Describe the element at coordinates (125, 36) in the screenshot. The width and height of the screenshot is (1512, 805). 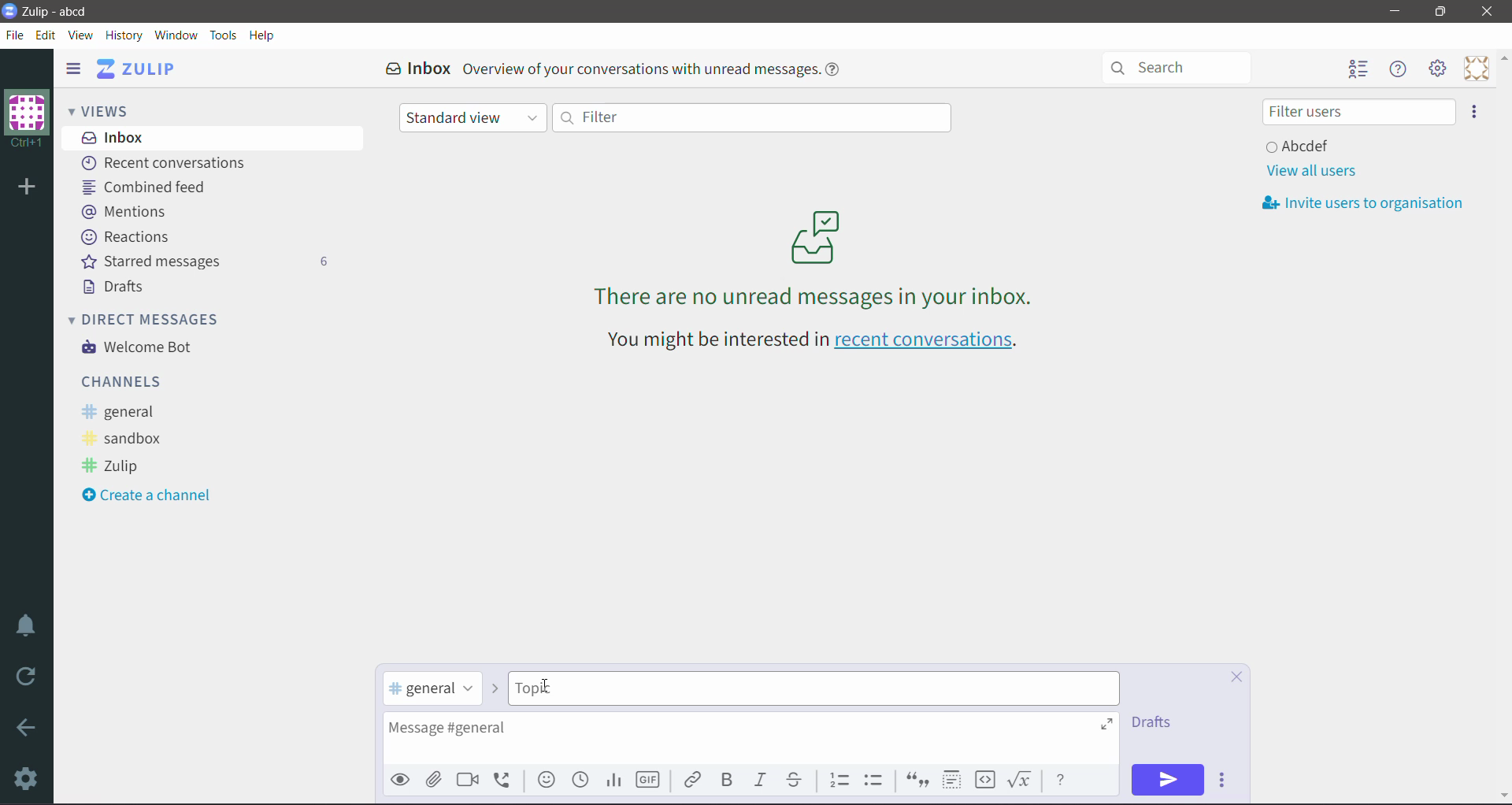
I see `History` at that location.